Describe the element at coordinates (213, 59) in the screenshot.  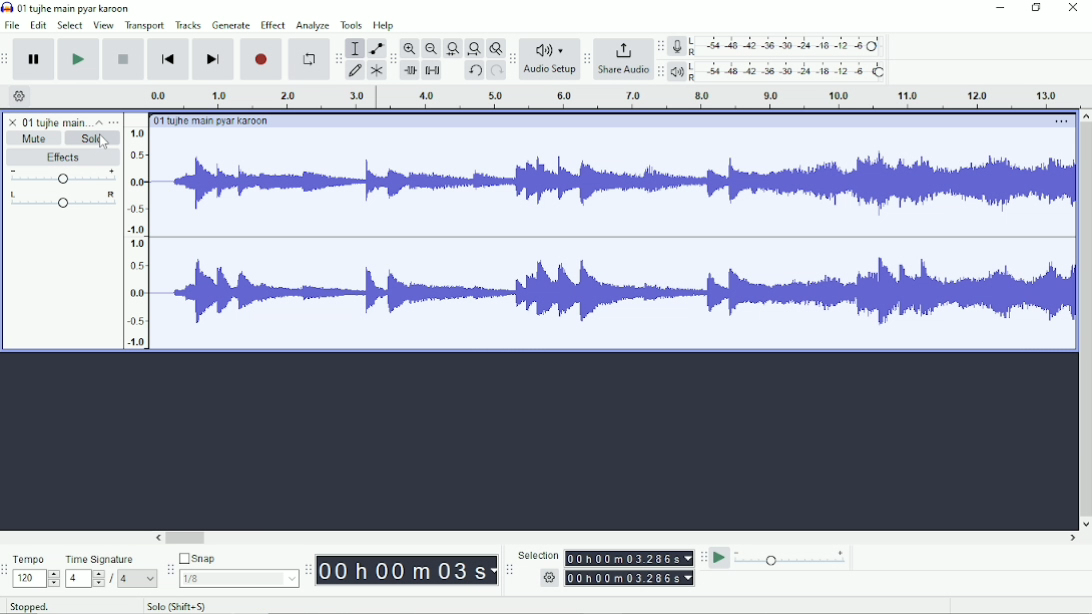
I see `Skip to end` at that location.